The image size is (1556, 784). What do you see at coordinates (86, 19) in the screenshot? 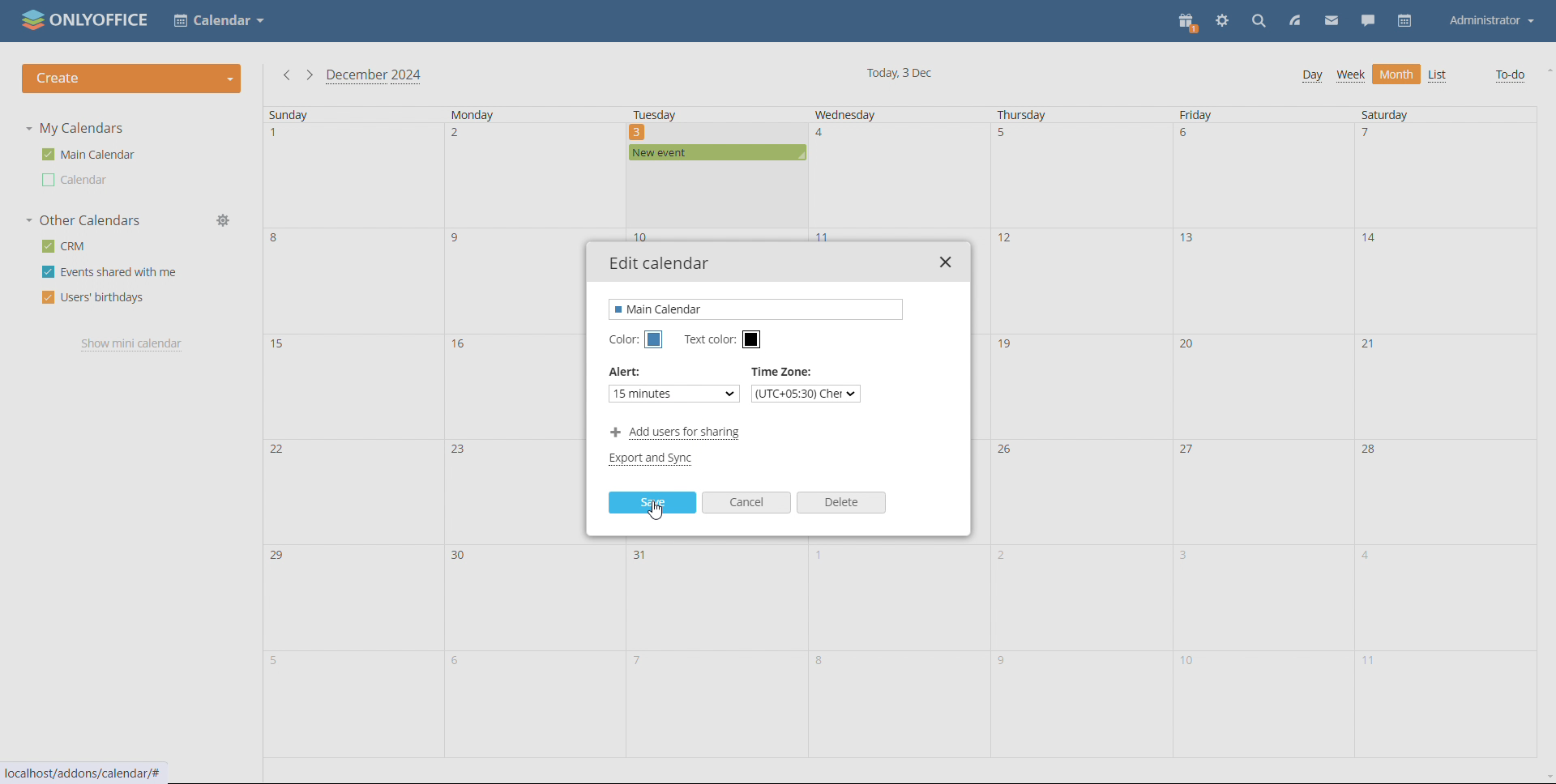
I see `logo` at bounding box center [86, 19].